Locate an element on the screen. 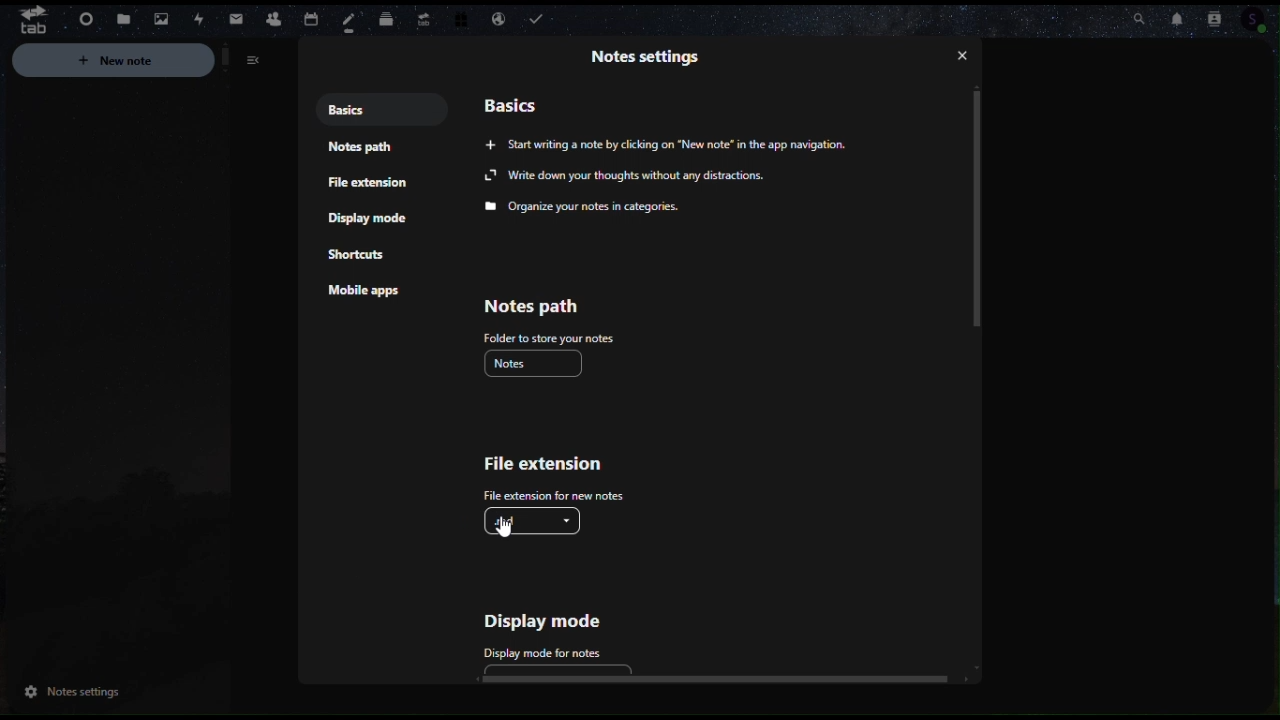 This screenshot has height=720, width=1280. basics is located at coordinates (514, 104).